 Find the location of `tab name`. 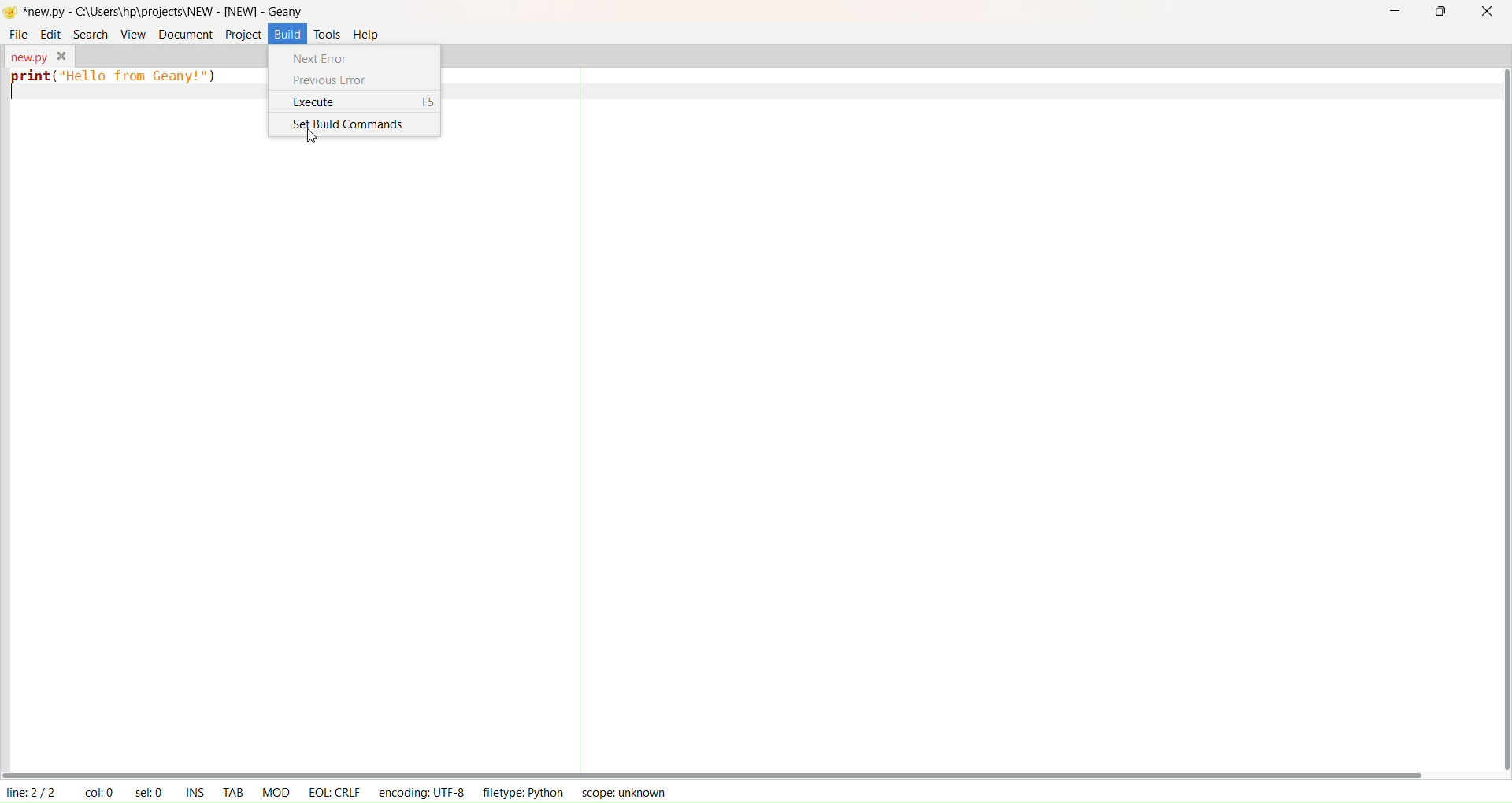

tab name is located at coordinates (27, 55).